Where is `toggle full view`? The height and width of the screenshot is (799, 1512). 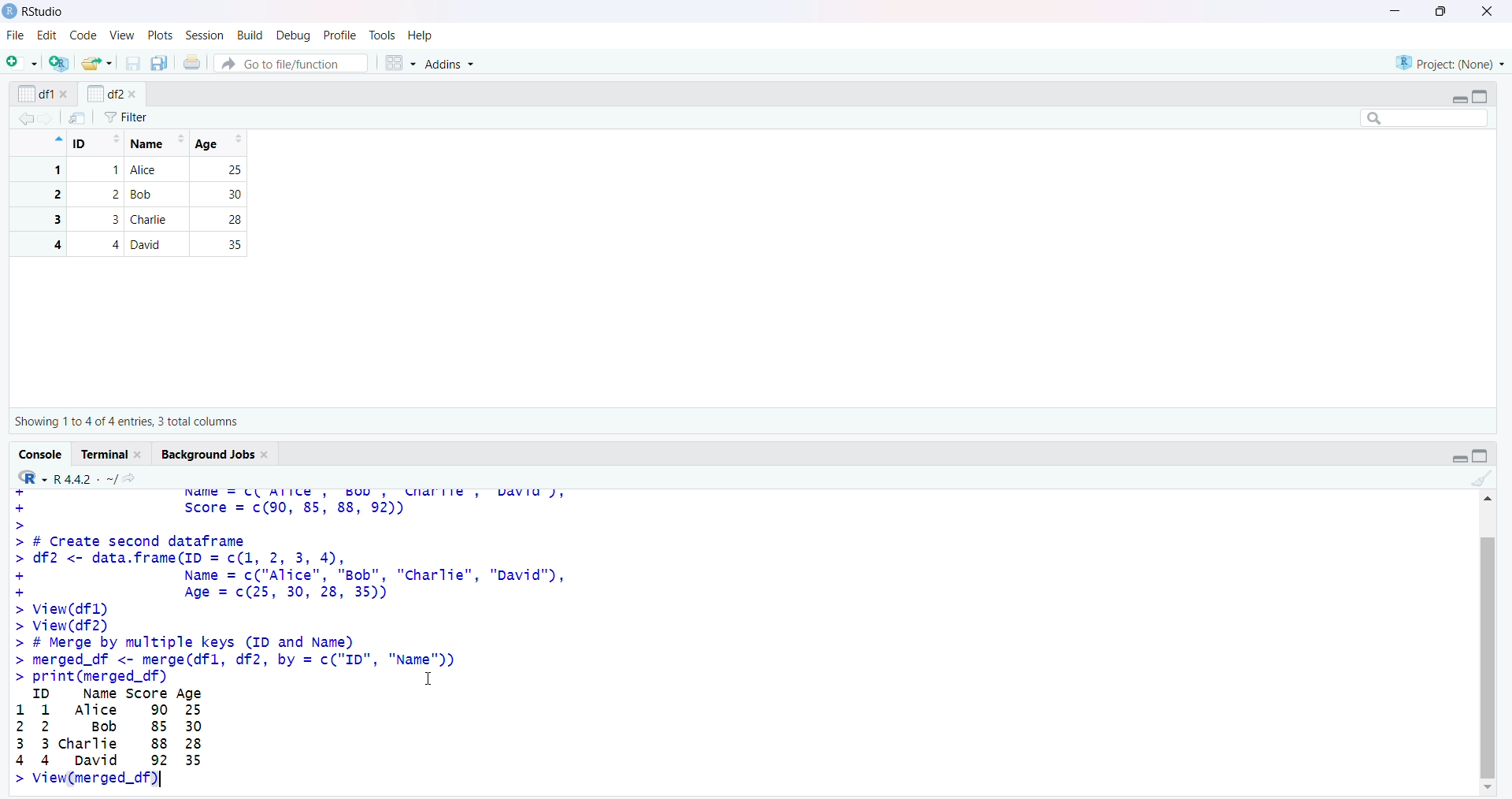 toggle full view is located at coordinates (1480, 455).